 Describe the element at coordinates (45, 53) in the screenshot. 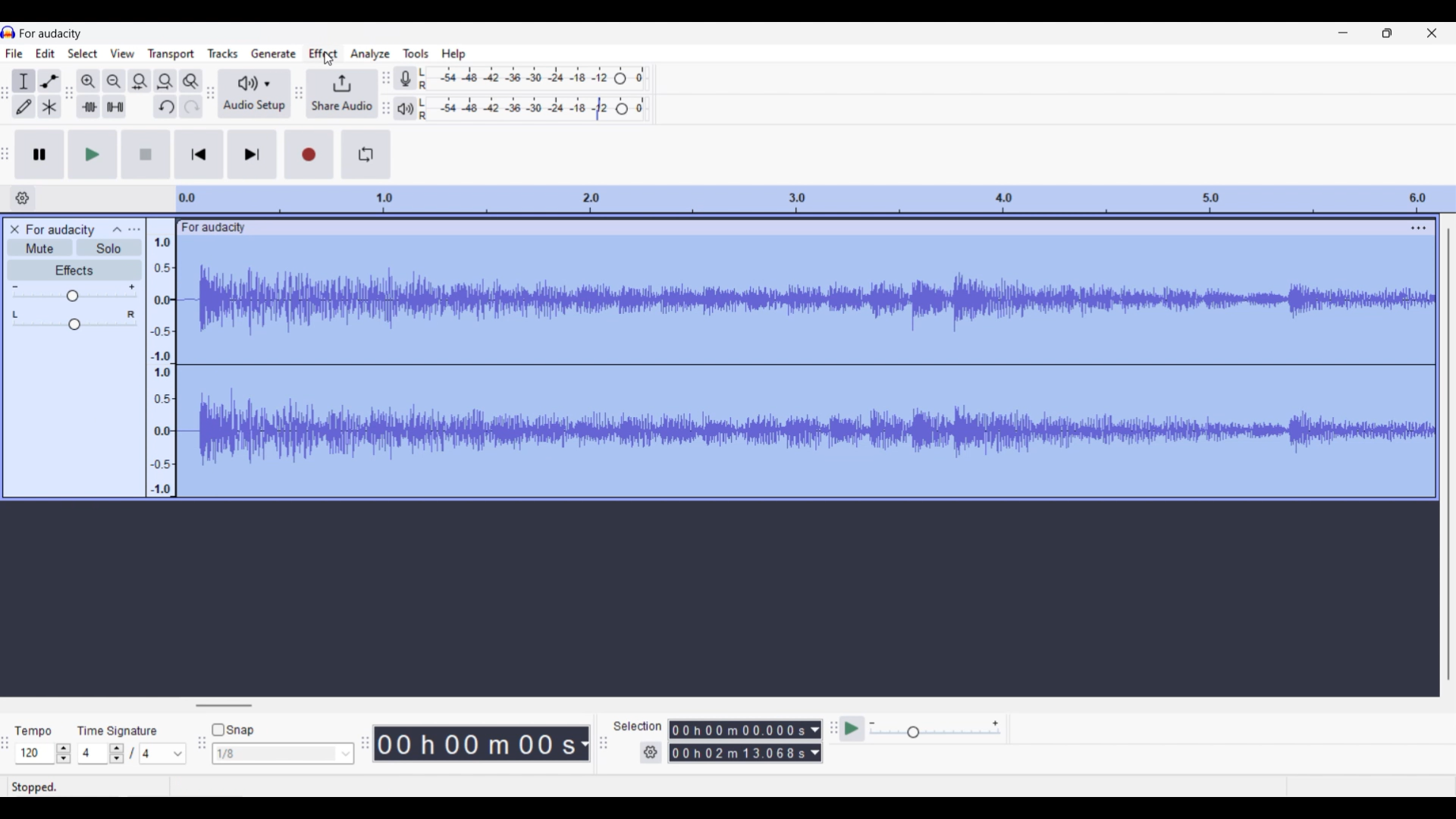

I see `Edit` at that location.